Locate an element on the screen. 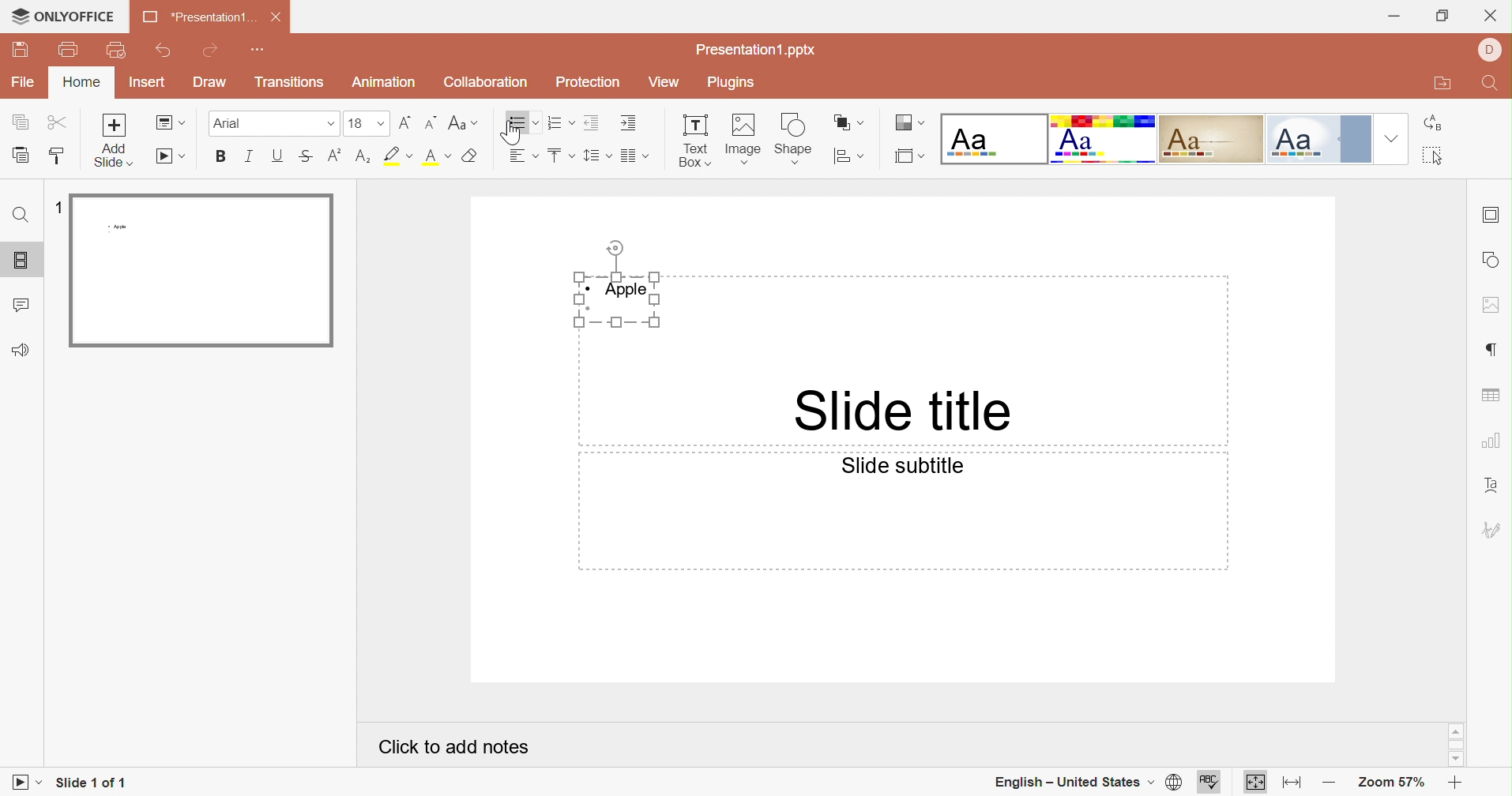  Close is located at coordinates (276, 21).